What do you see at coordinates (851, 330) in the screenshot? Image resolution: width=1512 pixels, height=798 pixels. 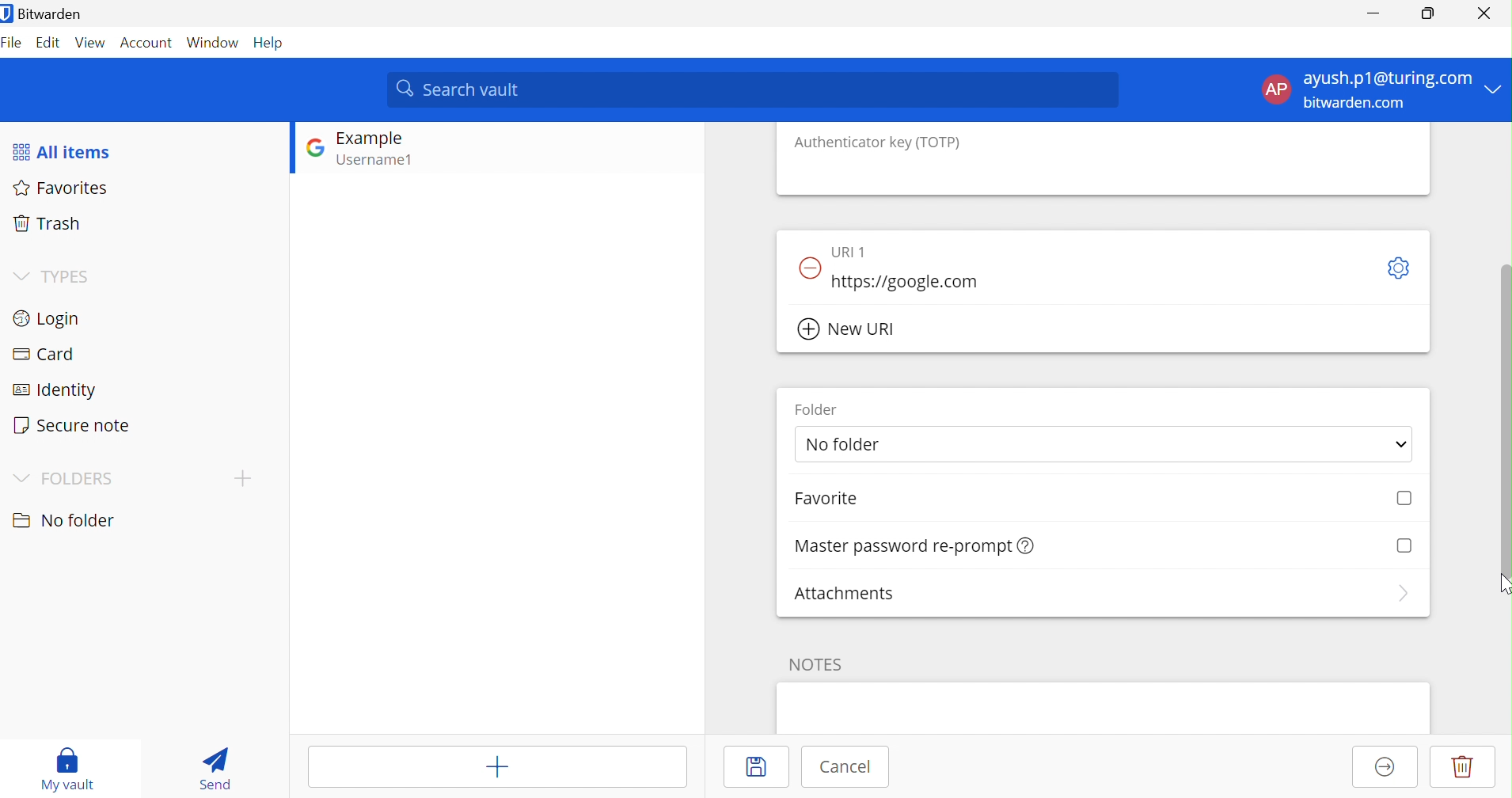 I see `New URI` at bounding box center [851, 330].